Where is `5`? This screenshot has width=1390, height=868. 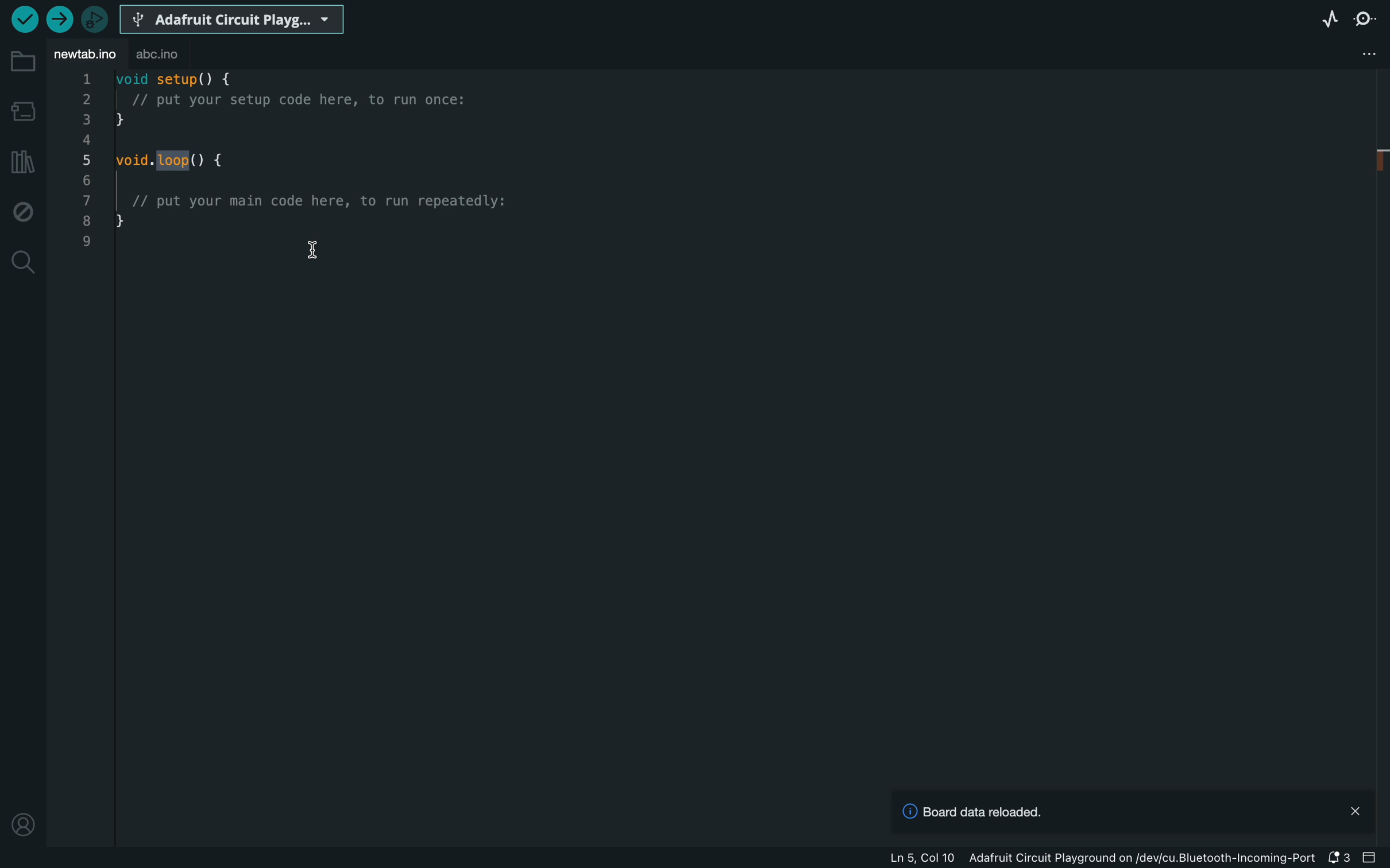
5 is located at coordinates (86, 160).